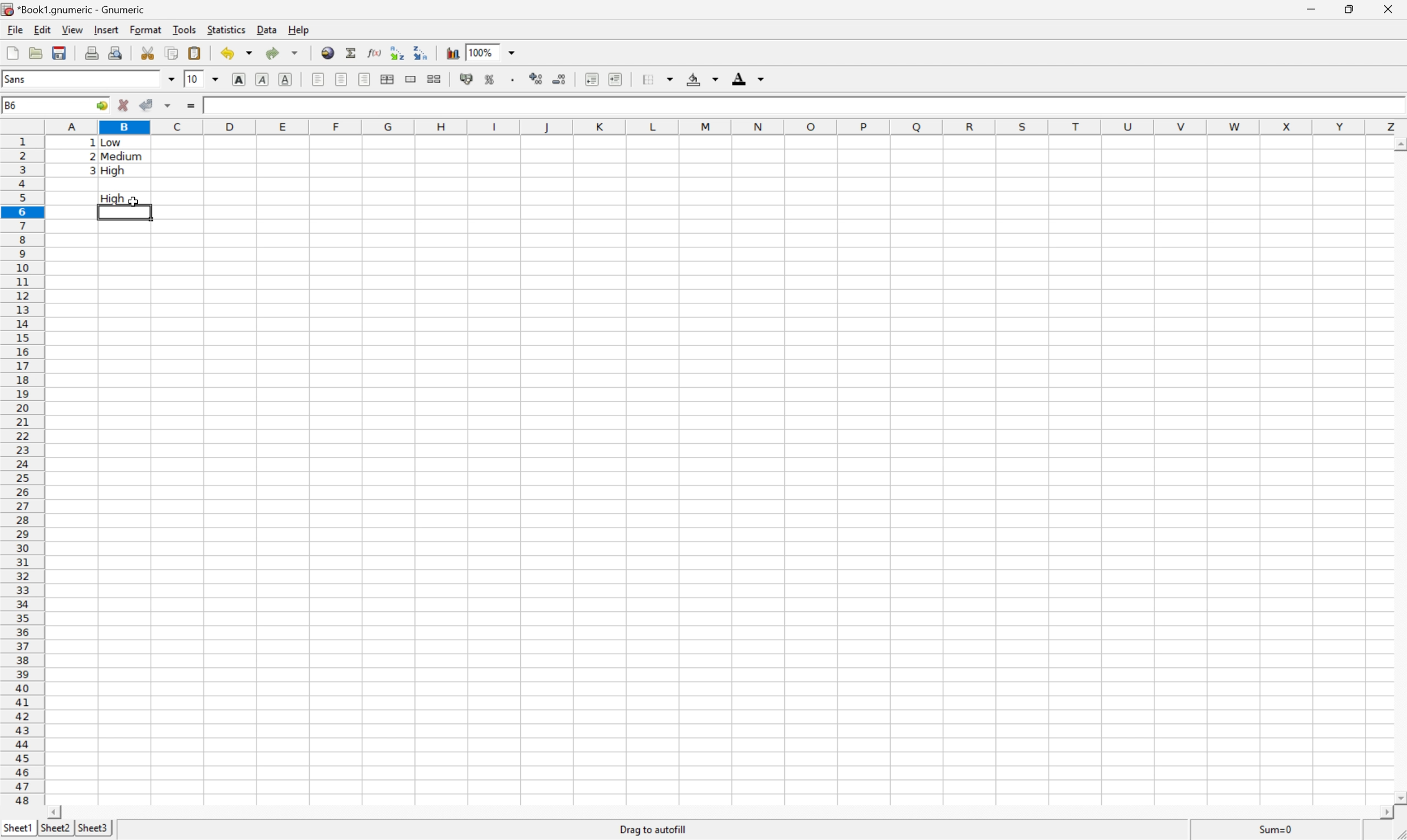 Image resolution: width=1407 pixels, height=840 pixels. Describe the element at coordinates (1382, 811) in the screenshot. I see `Scroll Right` at that location.